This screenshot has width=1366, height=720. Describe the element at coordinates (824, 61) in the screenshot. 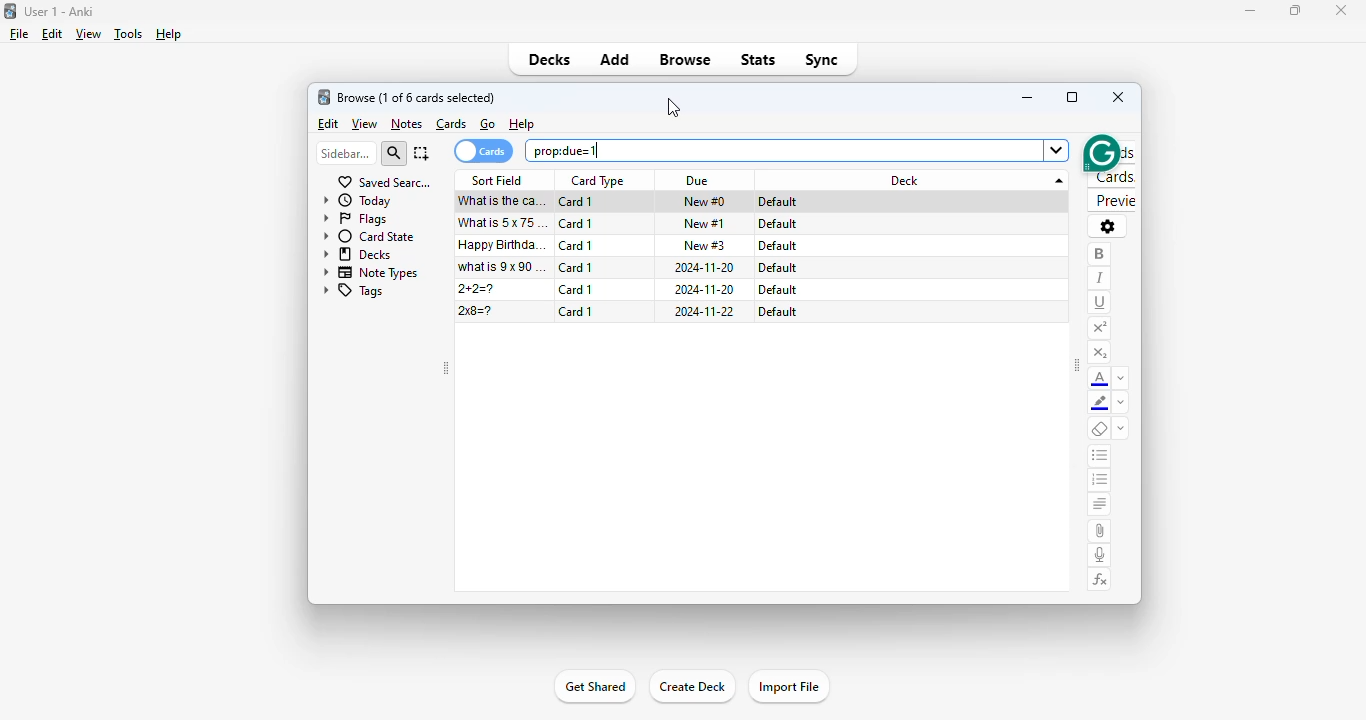

I see `sync` at that location.